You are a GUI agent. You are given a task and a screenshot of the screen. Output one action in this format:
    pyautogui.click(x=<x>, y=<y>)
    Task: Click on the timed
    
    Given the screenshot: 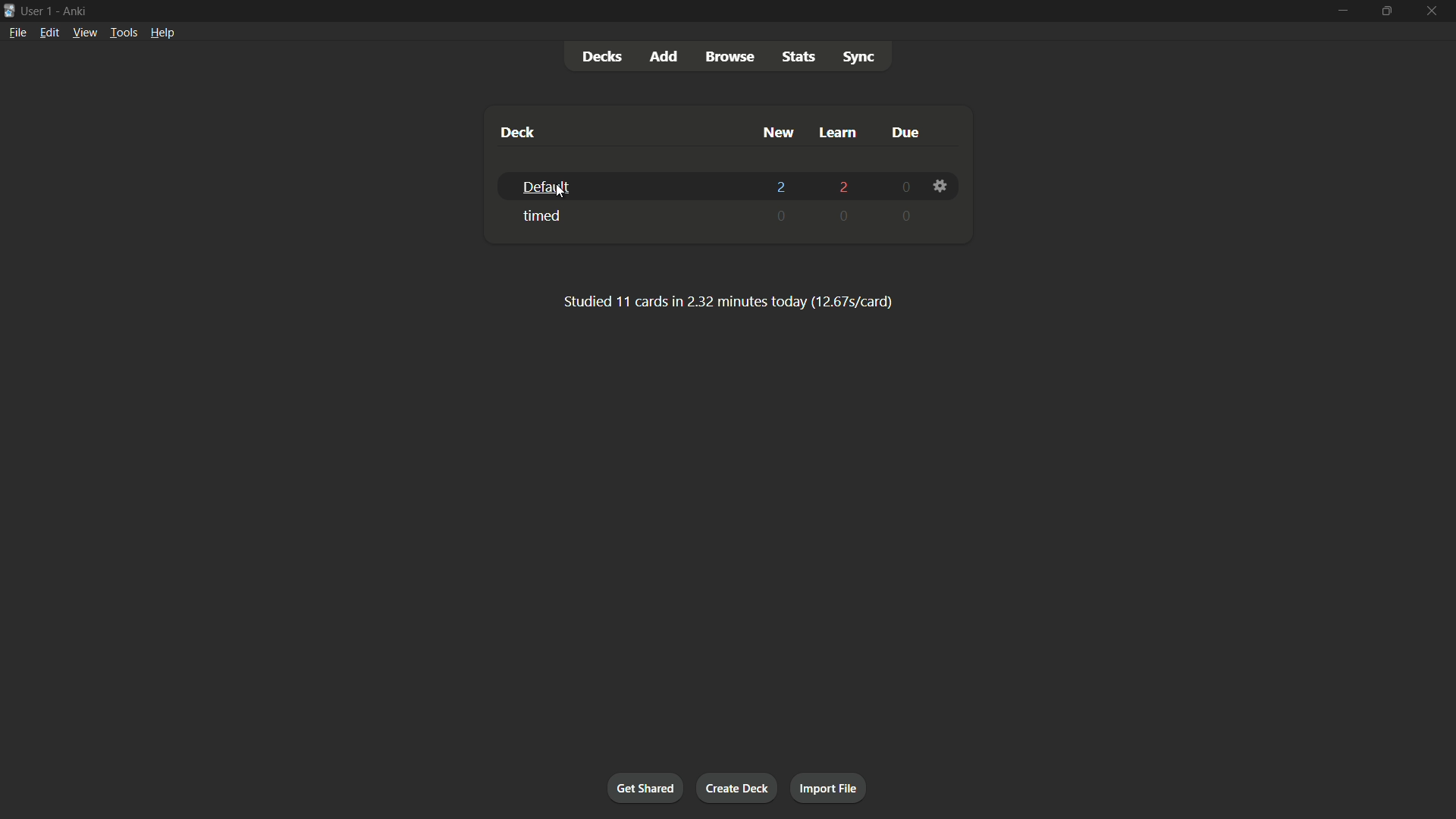 What is the action you would take?
    pyautogui.click(x=544, y=216)
    